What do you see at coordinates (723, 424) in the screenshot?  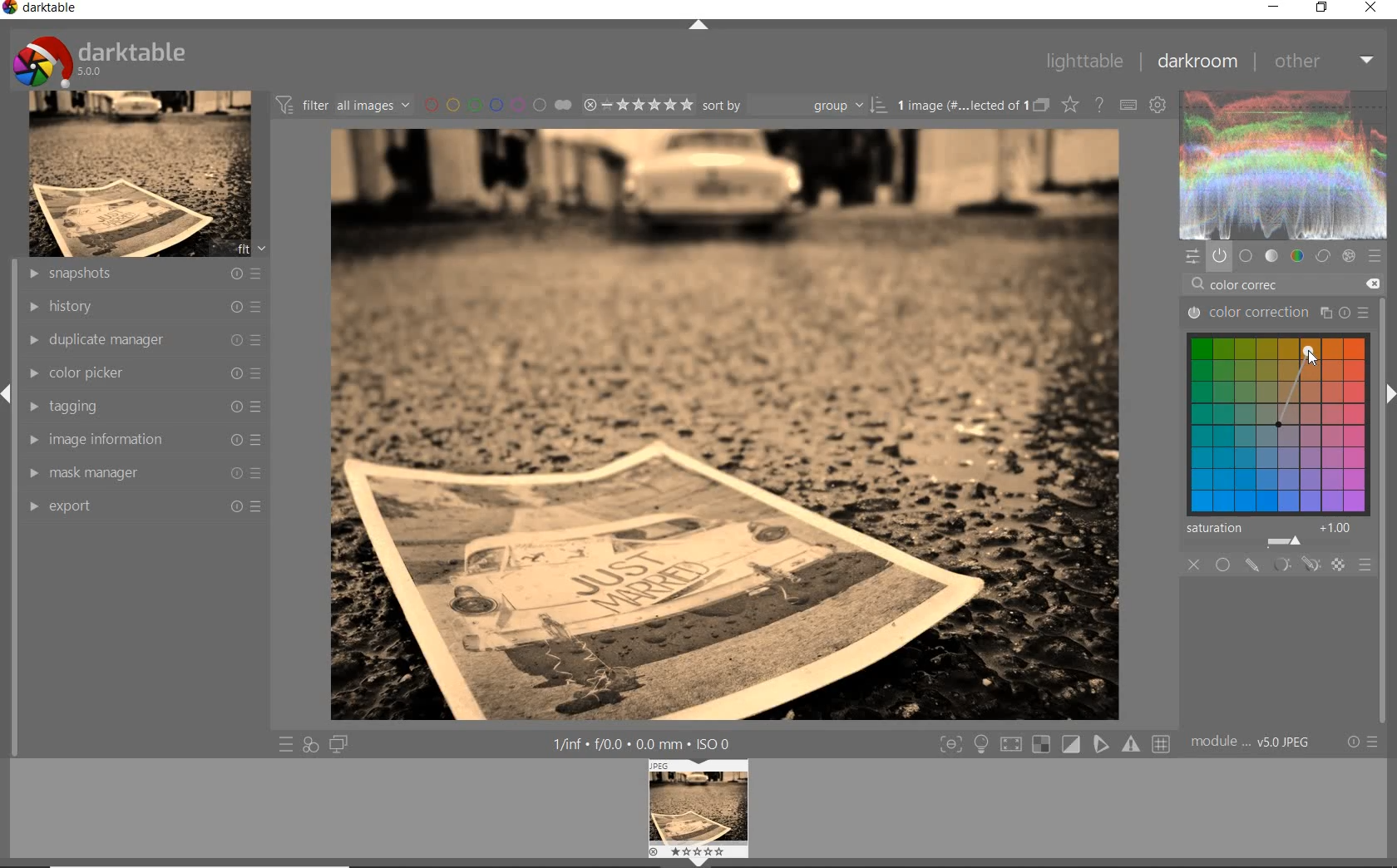 I see `selected image` at bounding box center [723, 424].